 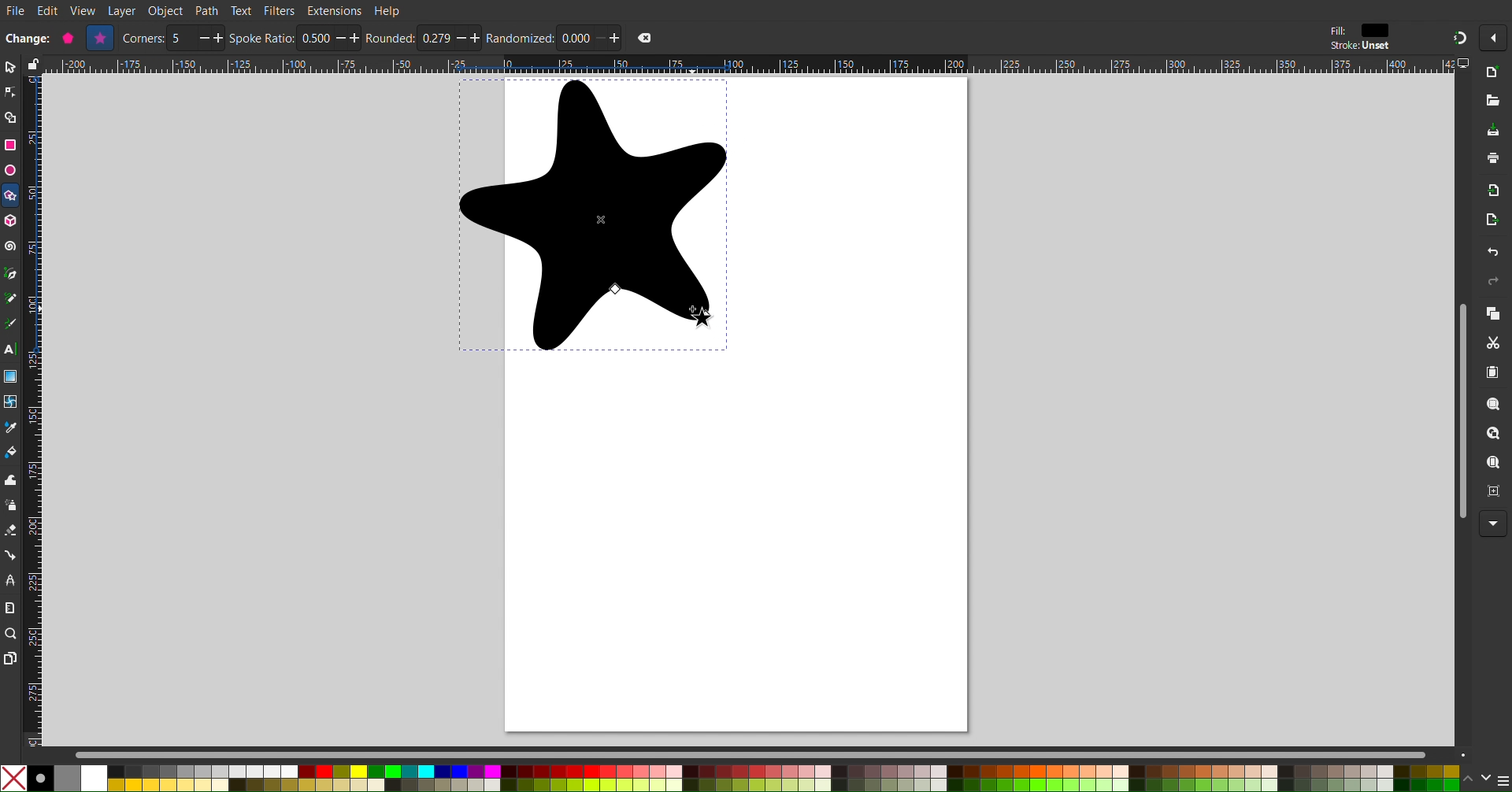 I want to click on Paste, so click(x=1494, y=373).